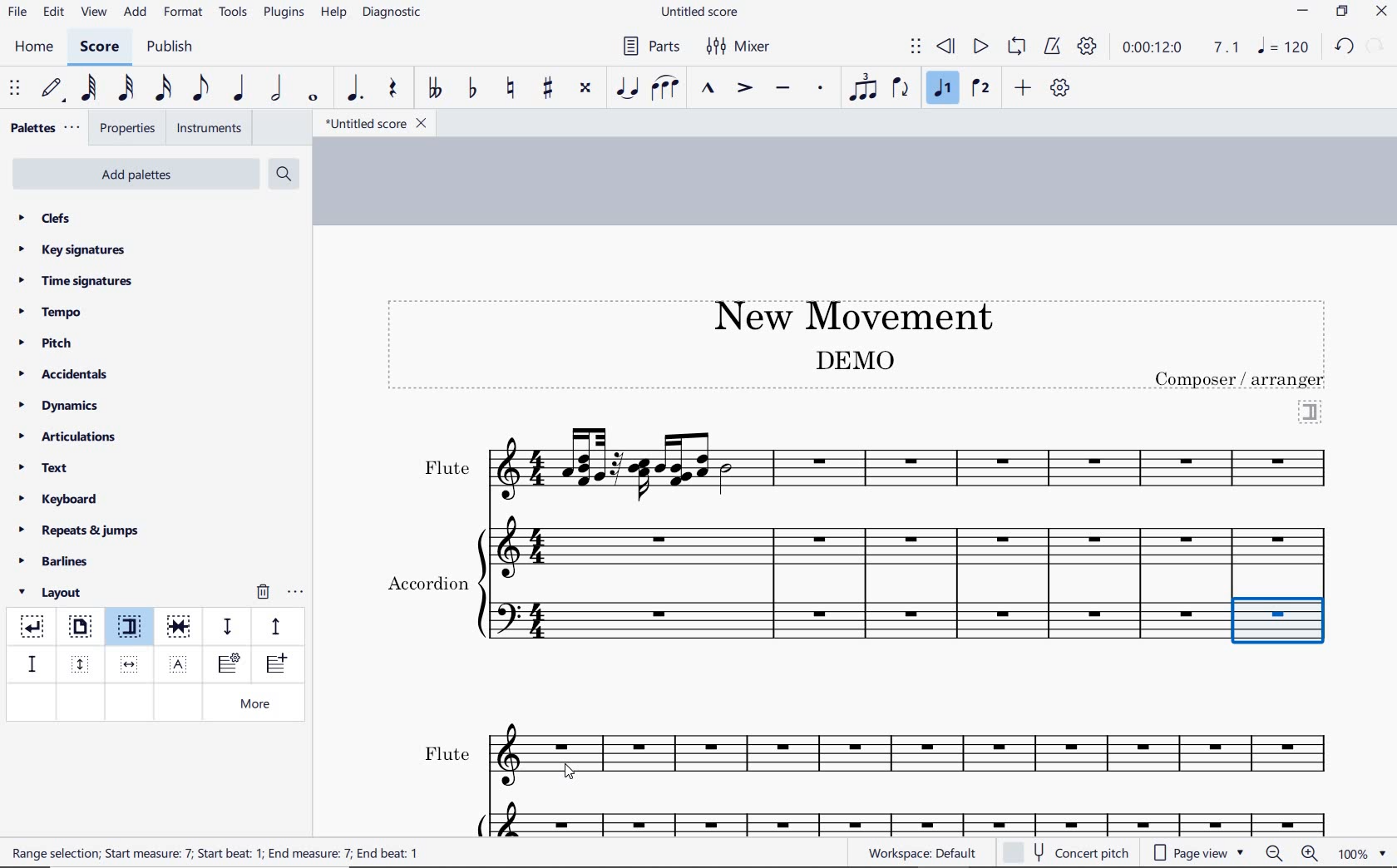  What do you see at coordinates (710, 90) in the screenshot?
I see `marcato` at bounding box center [710, 90].